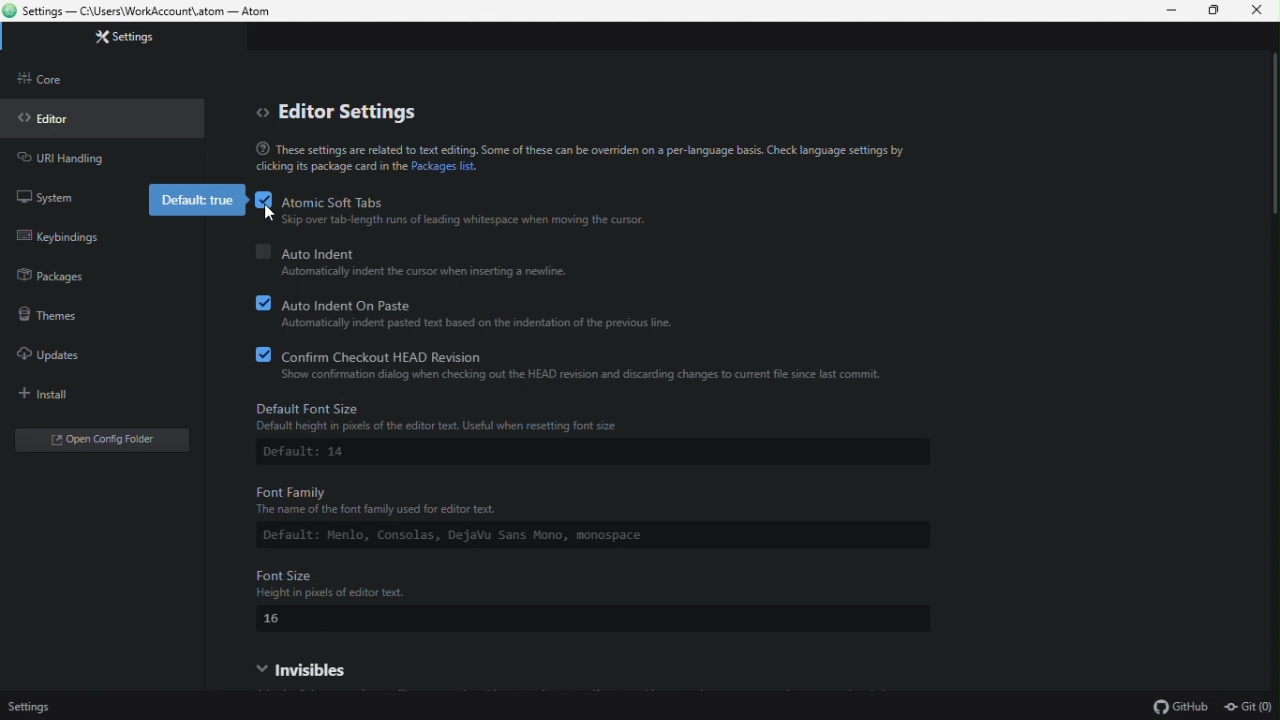  I want to click on Themes, so click(78, 310).